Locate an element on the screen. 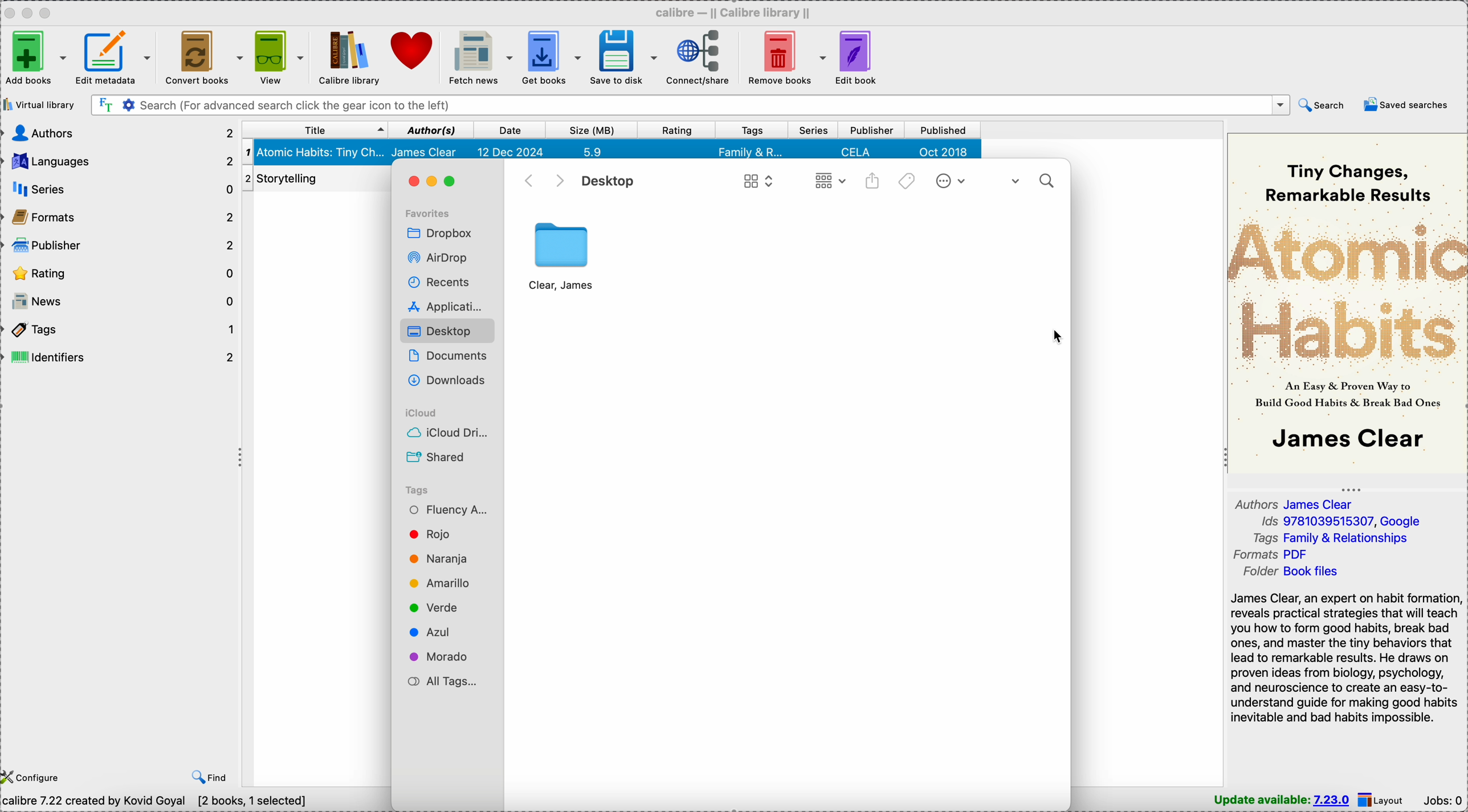  saved searches is located at coordinates (1406, 104).